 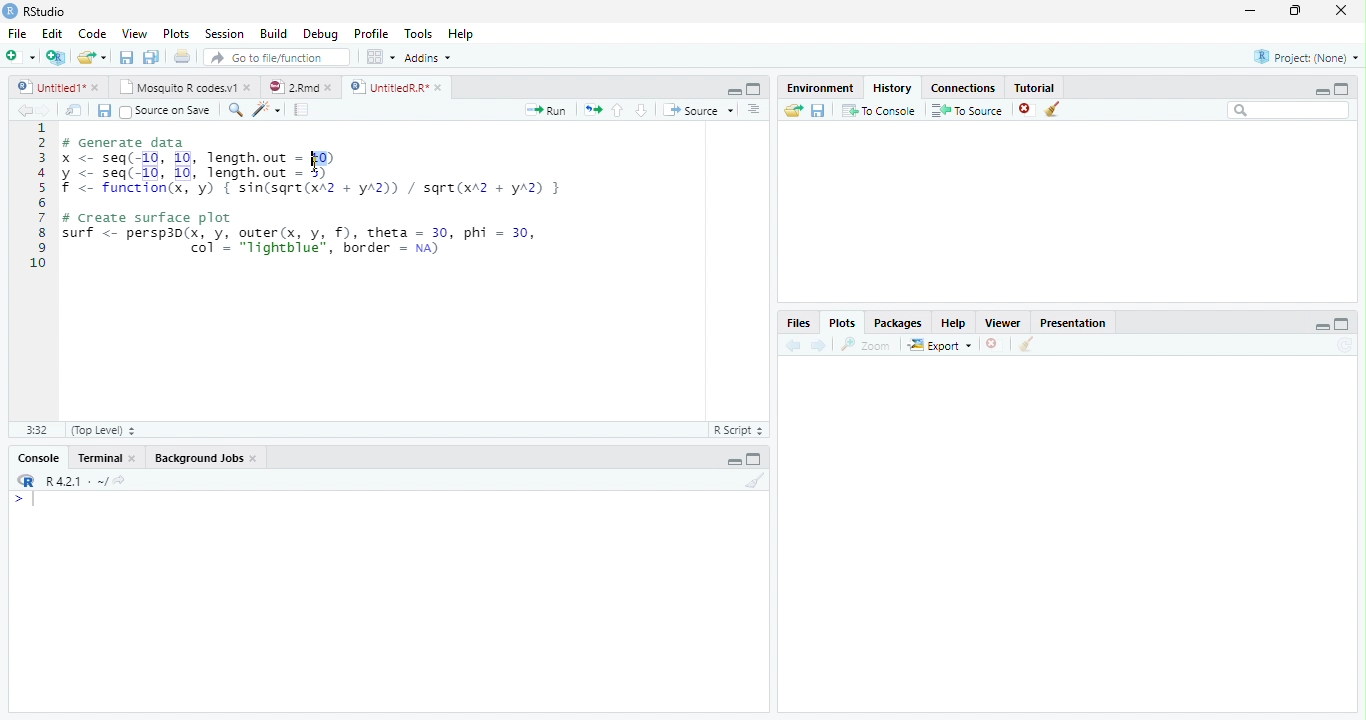 What do you see at coordinates (1322, 327) in the screenshot?
I see `minimize` at bounding box center [1322, 327].